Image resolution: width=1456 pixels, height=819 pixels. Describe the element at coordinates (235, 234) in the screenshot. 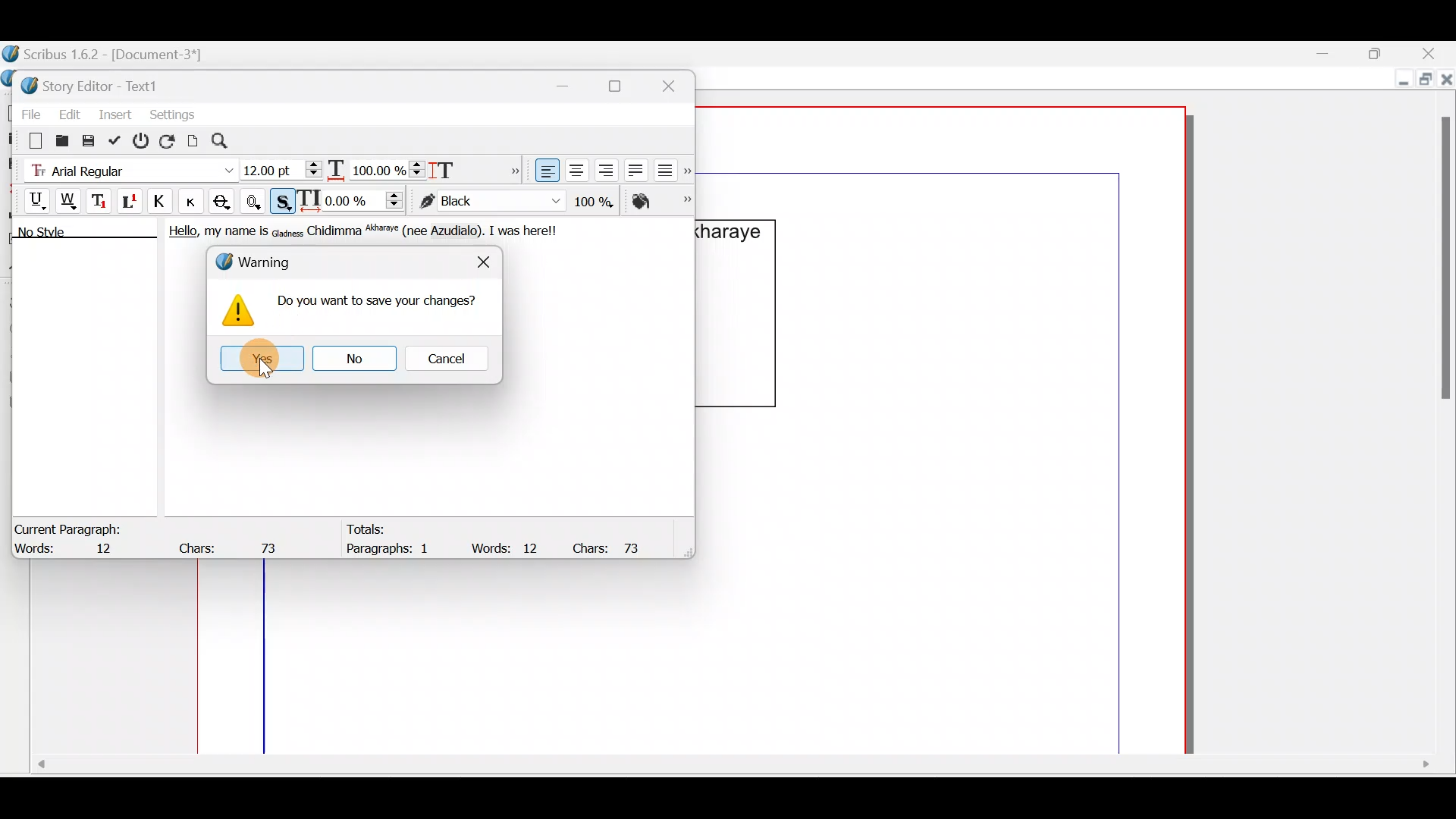

I see `my name is` at that location.